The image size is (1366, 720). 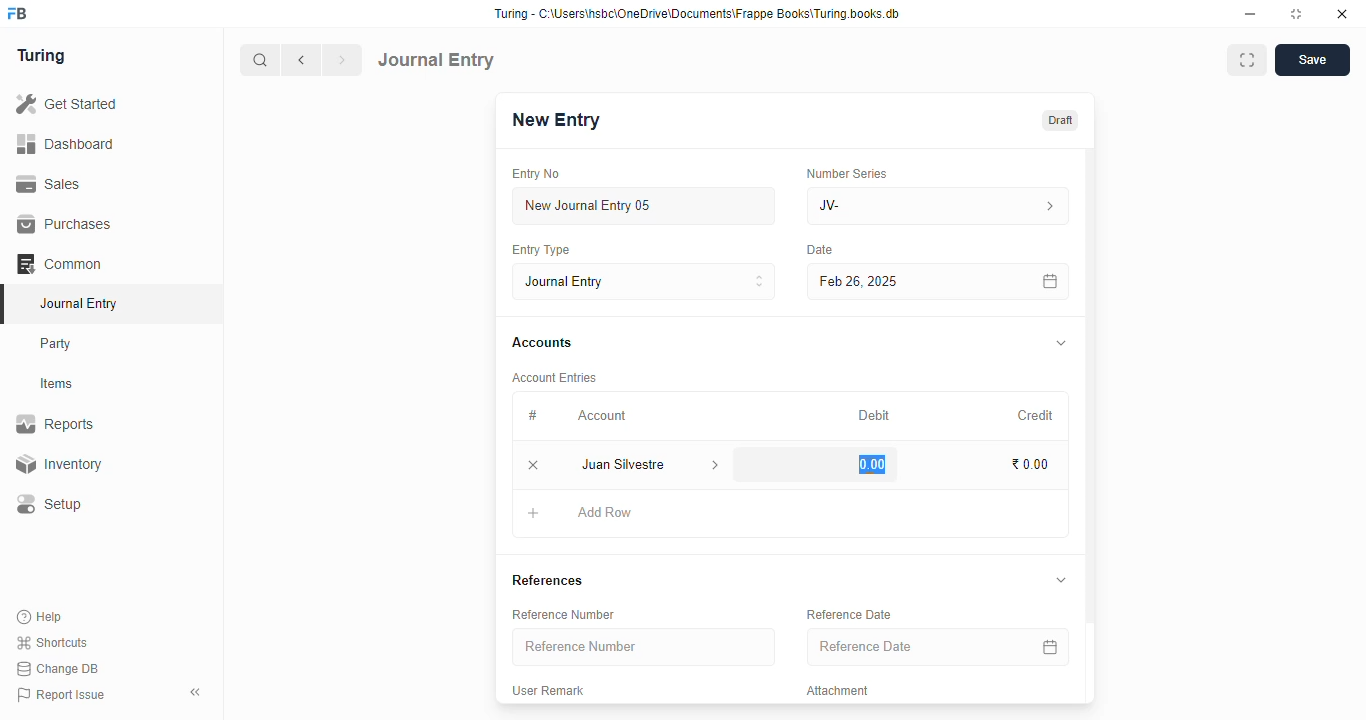 I want to click on toggle sidebar, so click(x=197, y=692).